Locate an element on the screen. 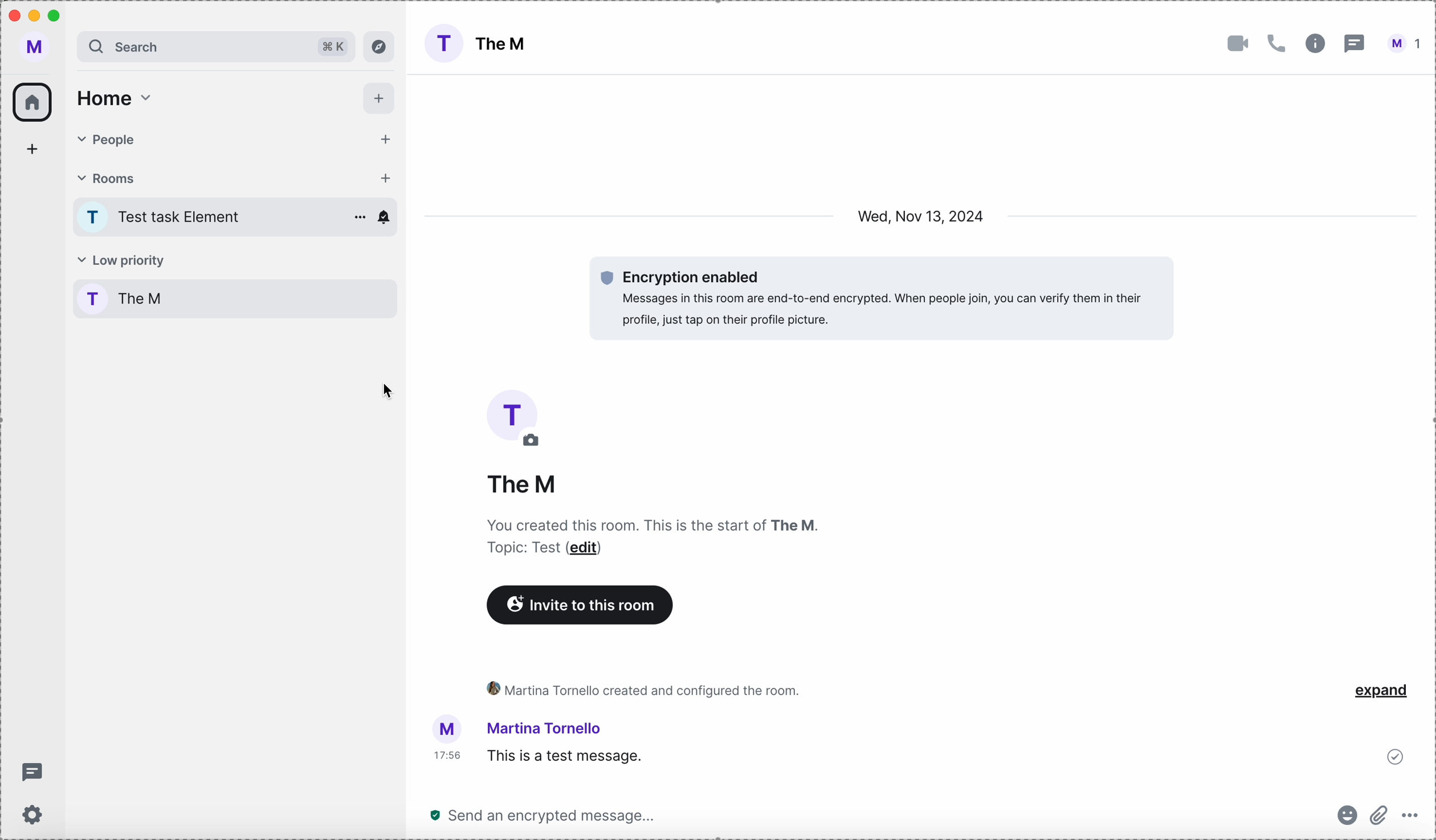 The height and width of the screenshot is (840, 1436). people is located at coordinates (213, 141).